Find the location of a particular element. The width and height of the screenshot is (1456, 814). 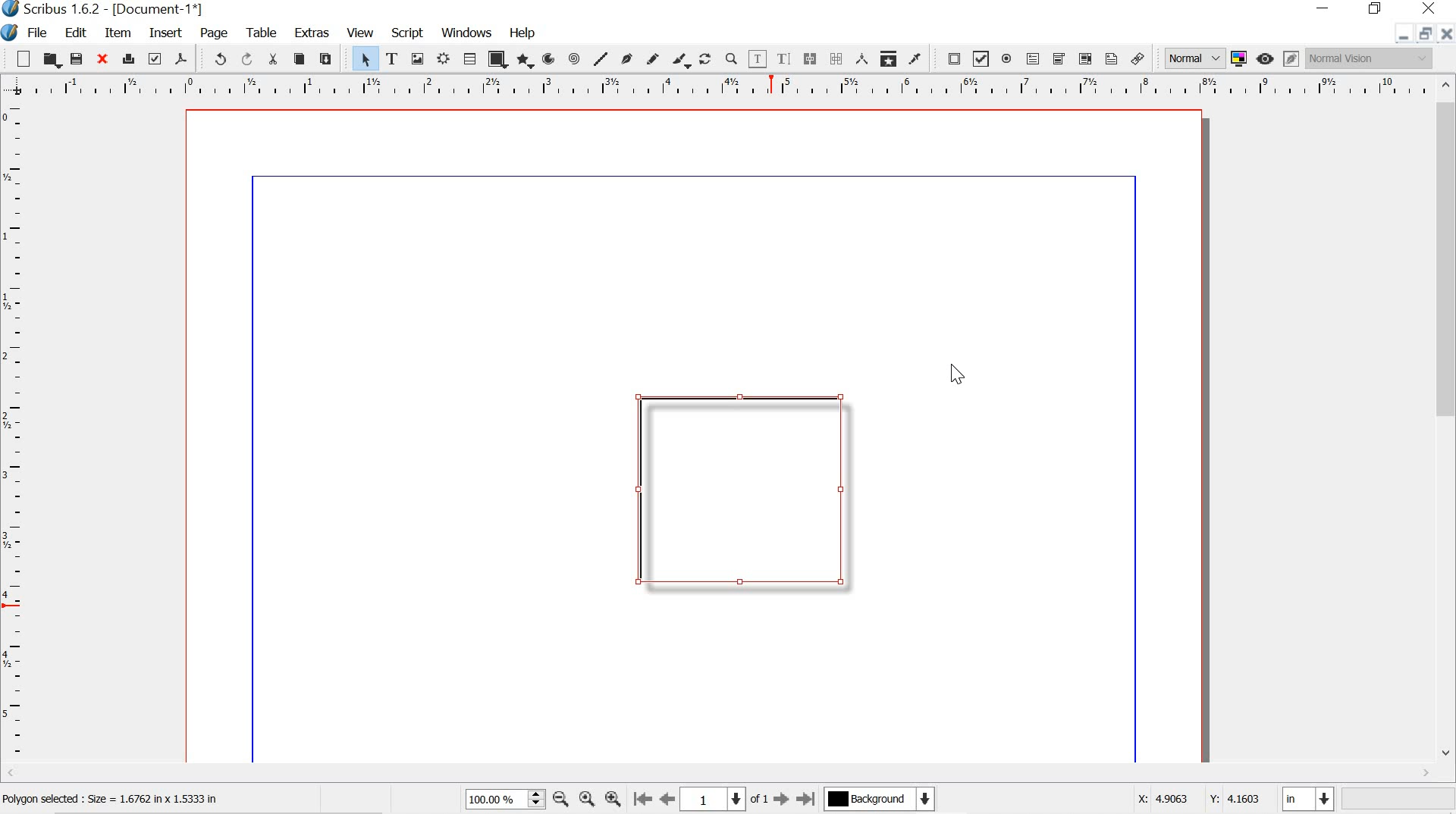

ruler is located at coordinates (14, 440).